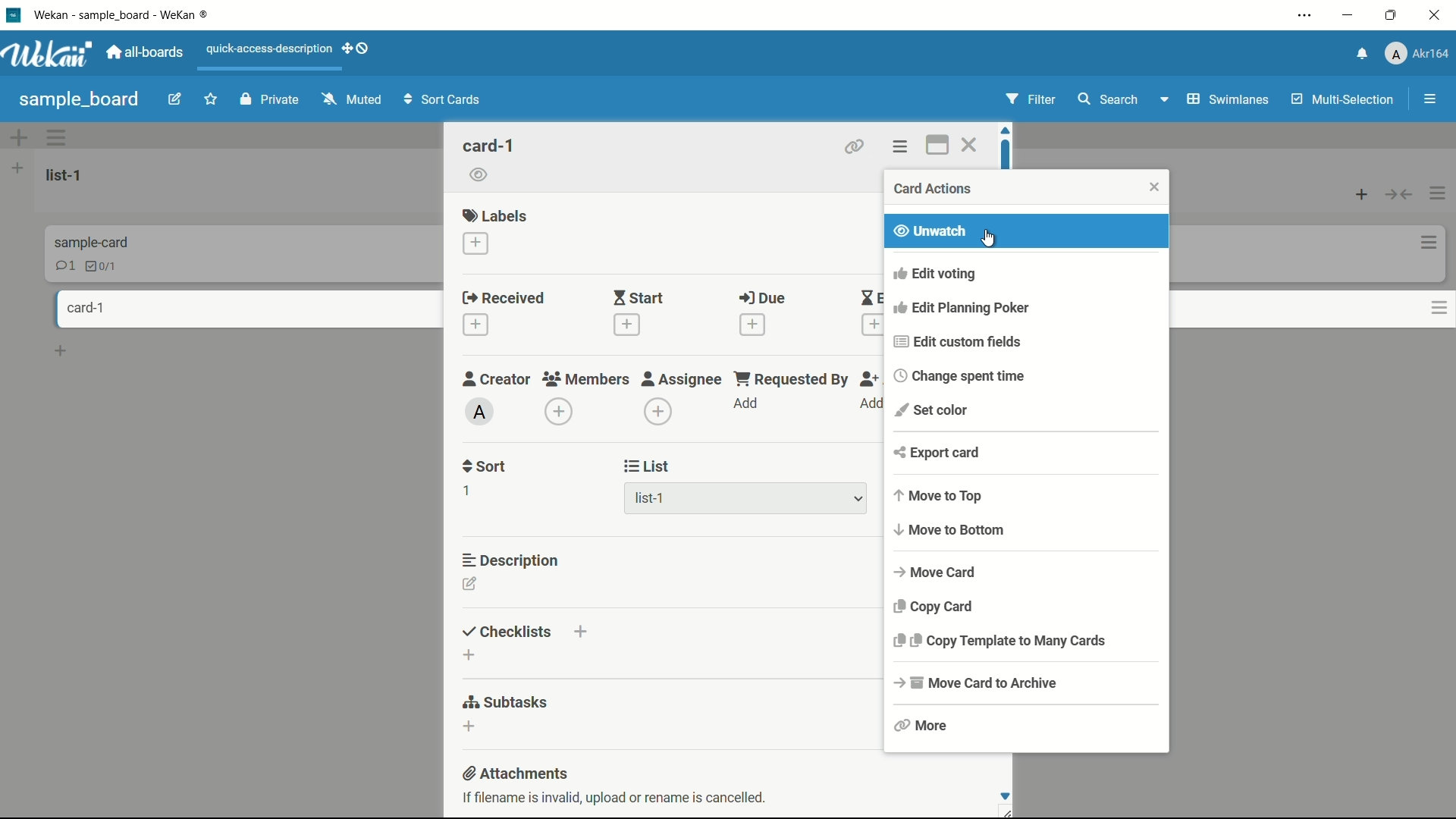  What do you see at coordinates (468, 728) in the screenshot?
I see `add subtasks` at bounding box center [468, 728].